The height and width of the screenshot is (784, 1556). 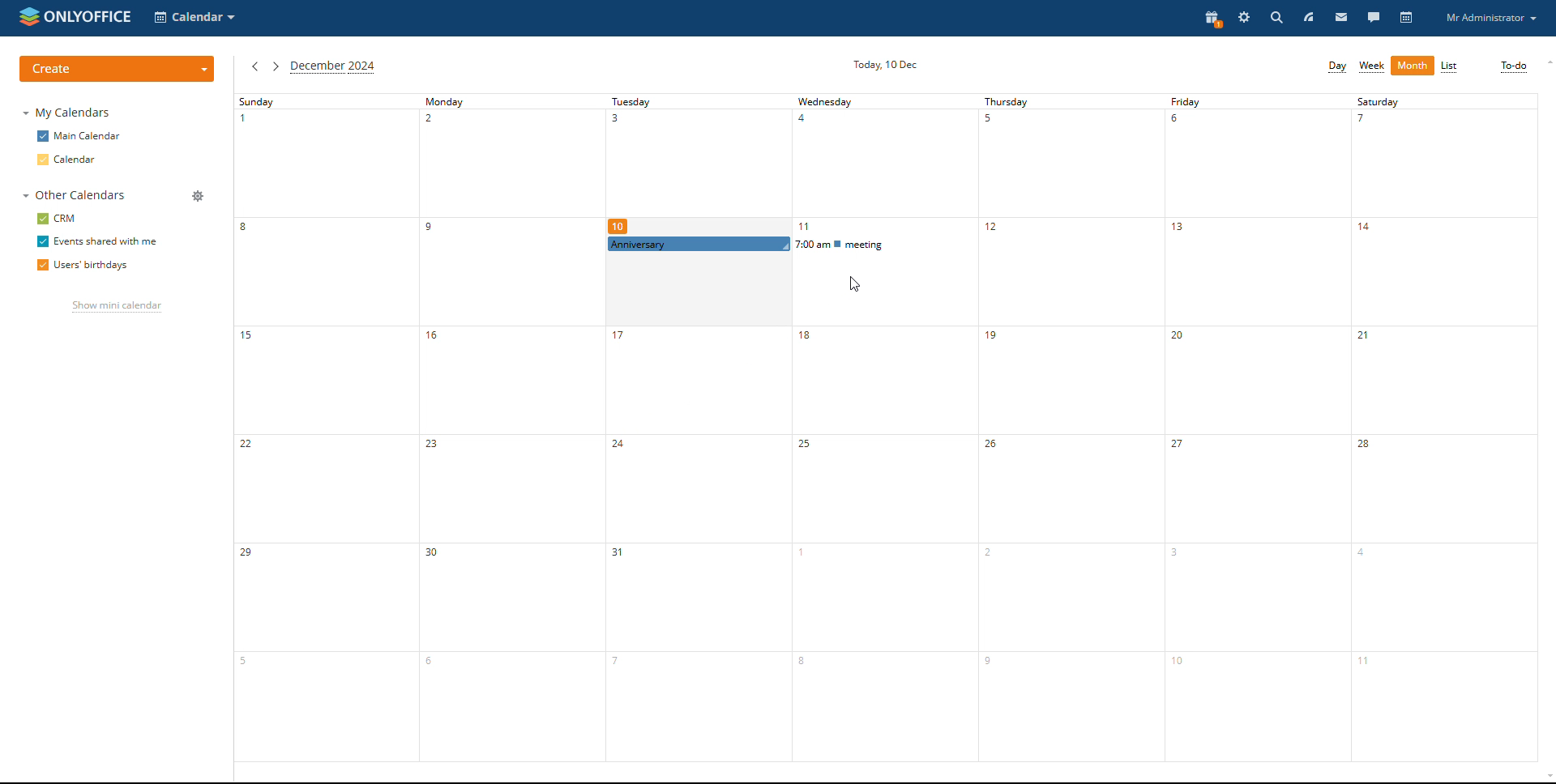 What do you see at coordinates (197, 196) in the screenshot?
I see `manage` at bounding box center [197, 196].